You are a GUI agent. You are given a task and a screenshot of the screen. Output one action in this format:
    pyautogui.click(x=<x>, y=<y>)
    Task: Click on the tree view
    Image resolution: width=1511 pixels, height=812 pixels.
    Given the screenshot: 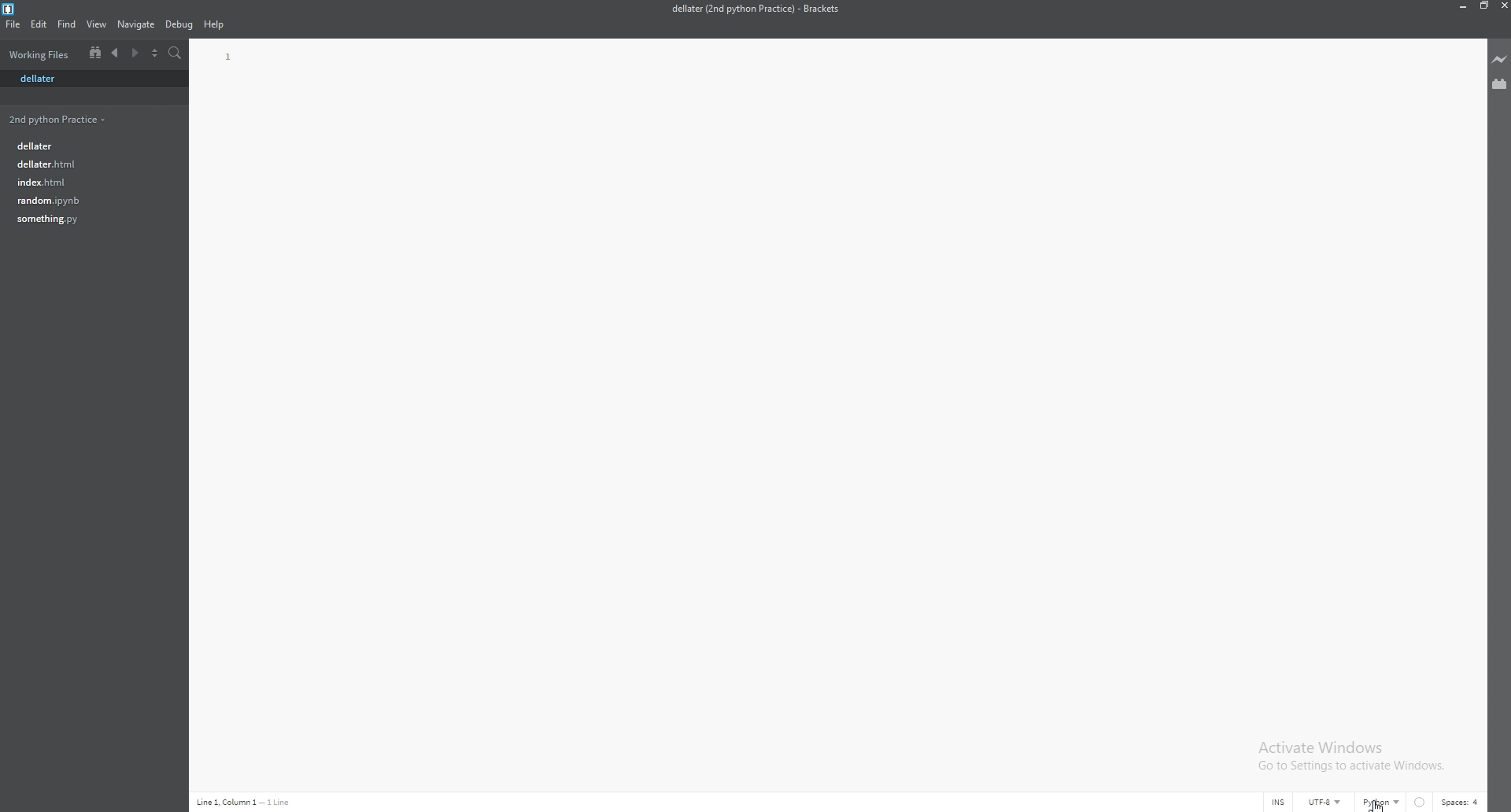 What is the action you would take?
    pyautogui.click(x=95, y=52)
    